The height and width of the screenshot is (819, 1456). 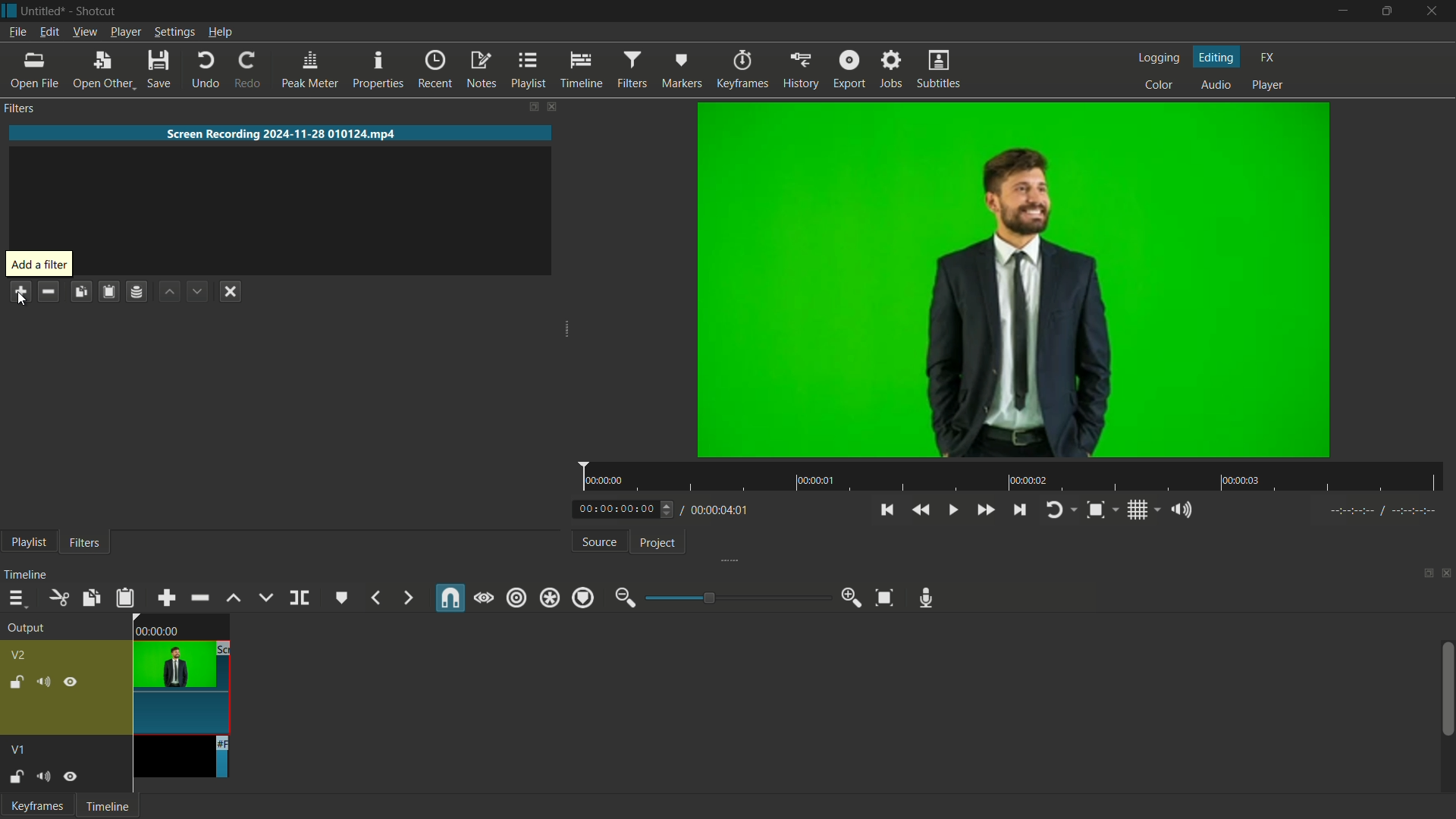 I want to click on timeline menu, so click(x=13, y=598).